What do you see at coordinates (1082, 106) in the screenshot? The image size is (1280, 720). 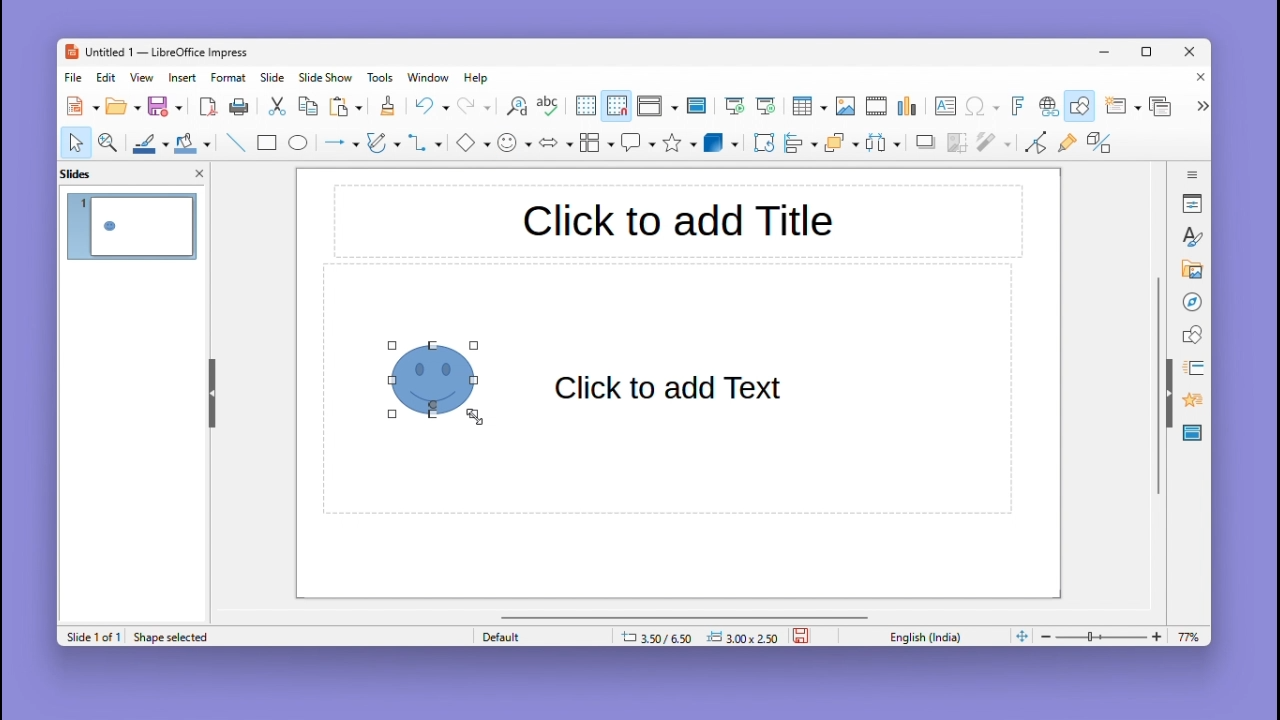 I see `Draw function` at bounding box center [1082, 106].